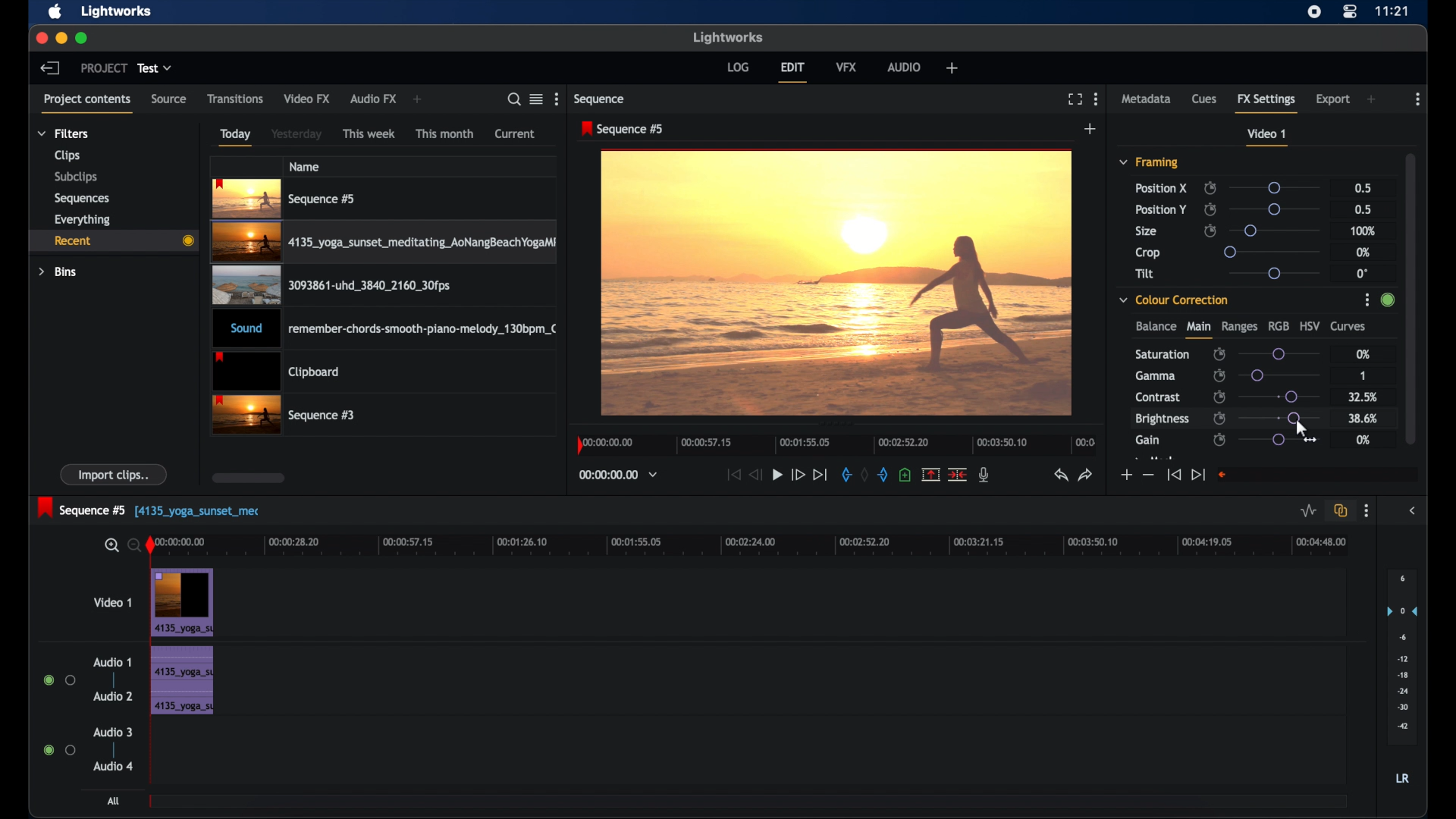  What do you see at coordinates (1275, 325) in the screenshot?
I see `rgb` at bounding box center [1275, 325].